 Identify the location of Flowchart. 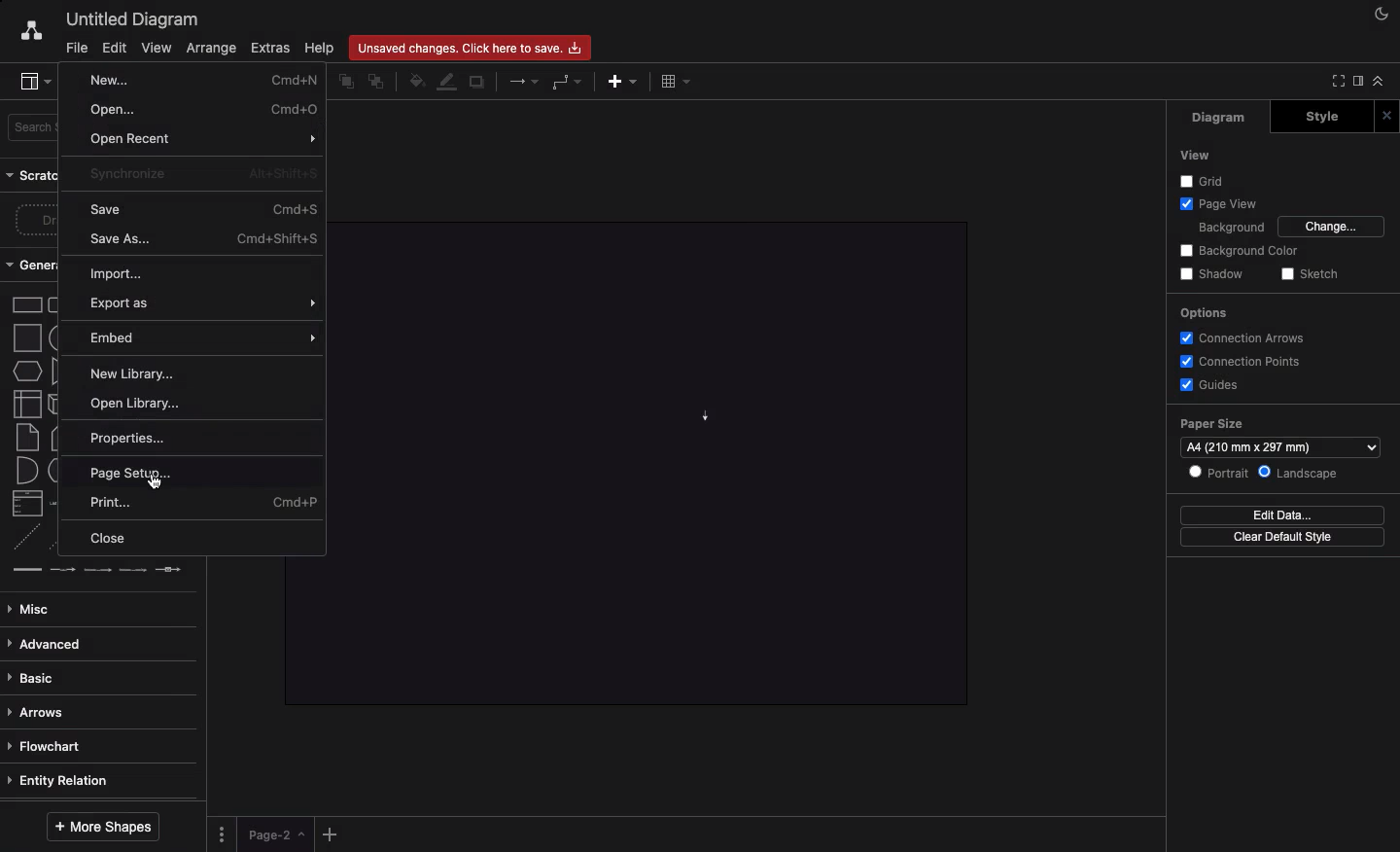
(46, 746).